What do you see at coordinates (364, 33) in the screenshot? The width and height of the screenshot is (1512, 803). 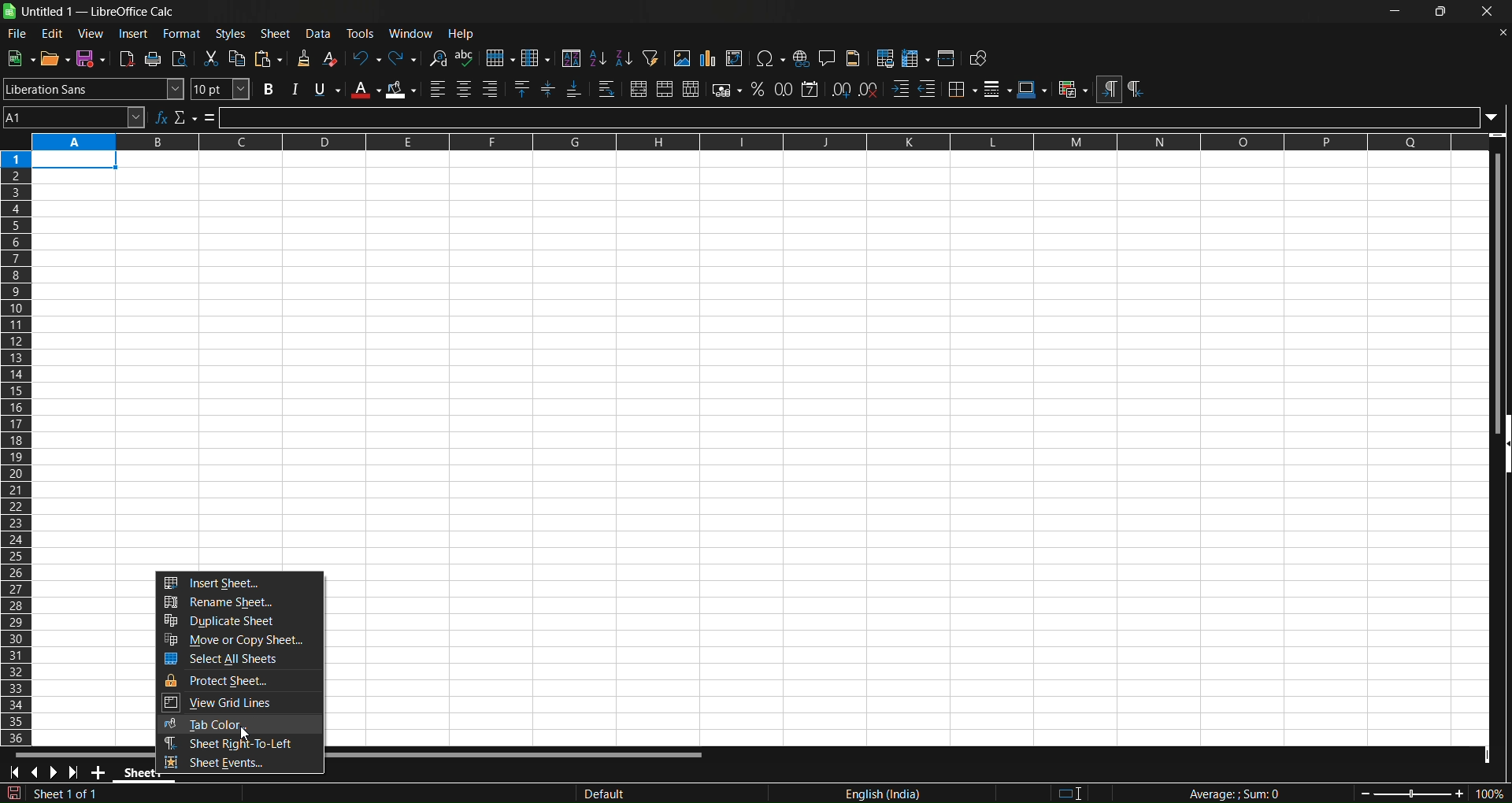 I see `tools` at bounding box center [364, 33].